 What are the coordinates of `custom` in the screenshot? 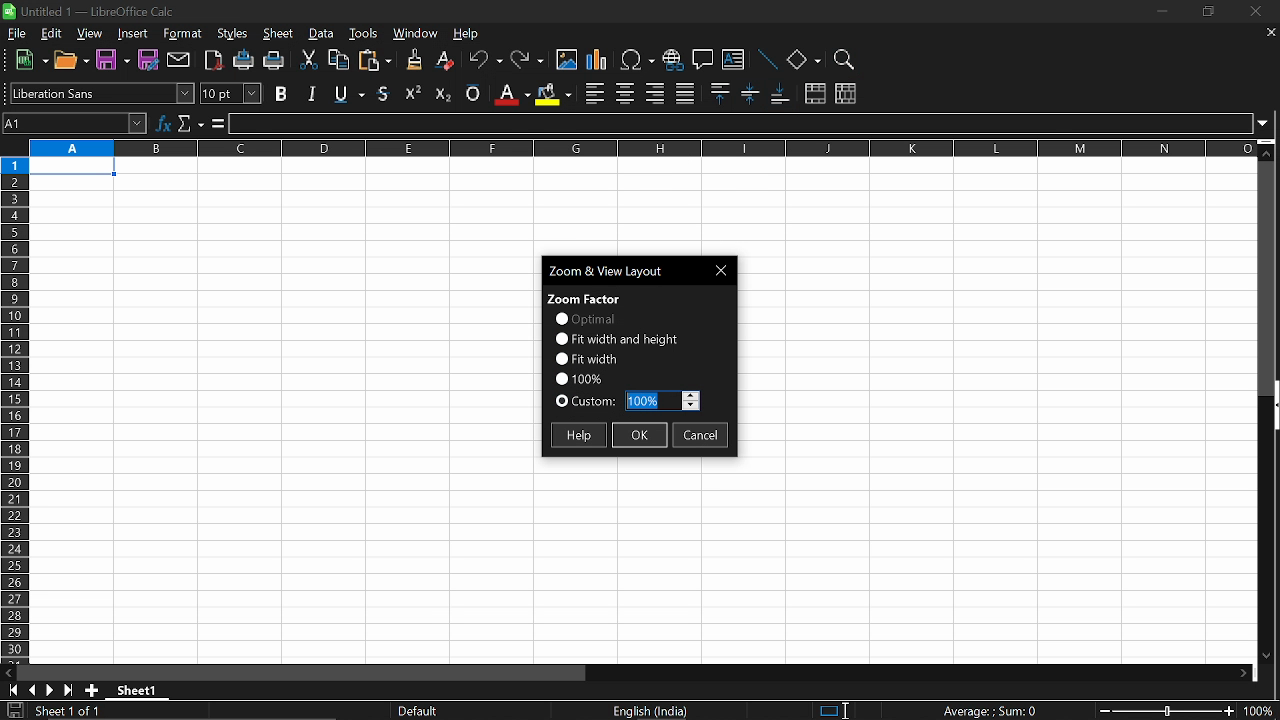 It's located at (586, 403).